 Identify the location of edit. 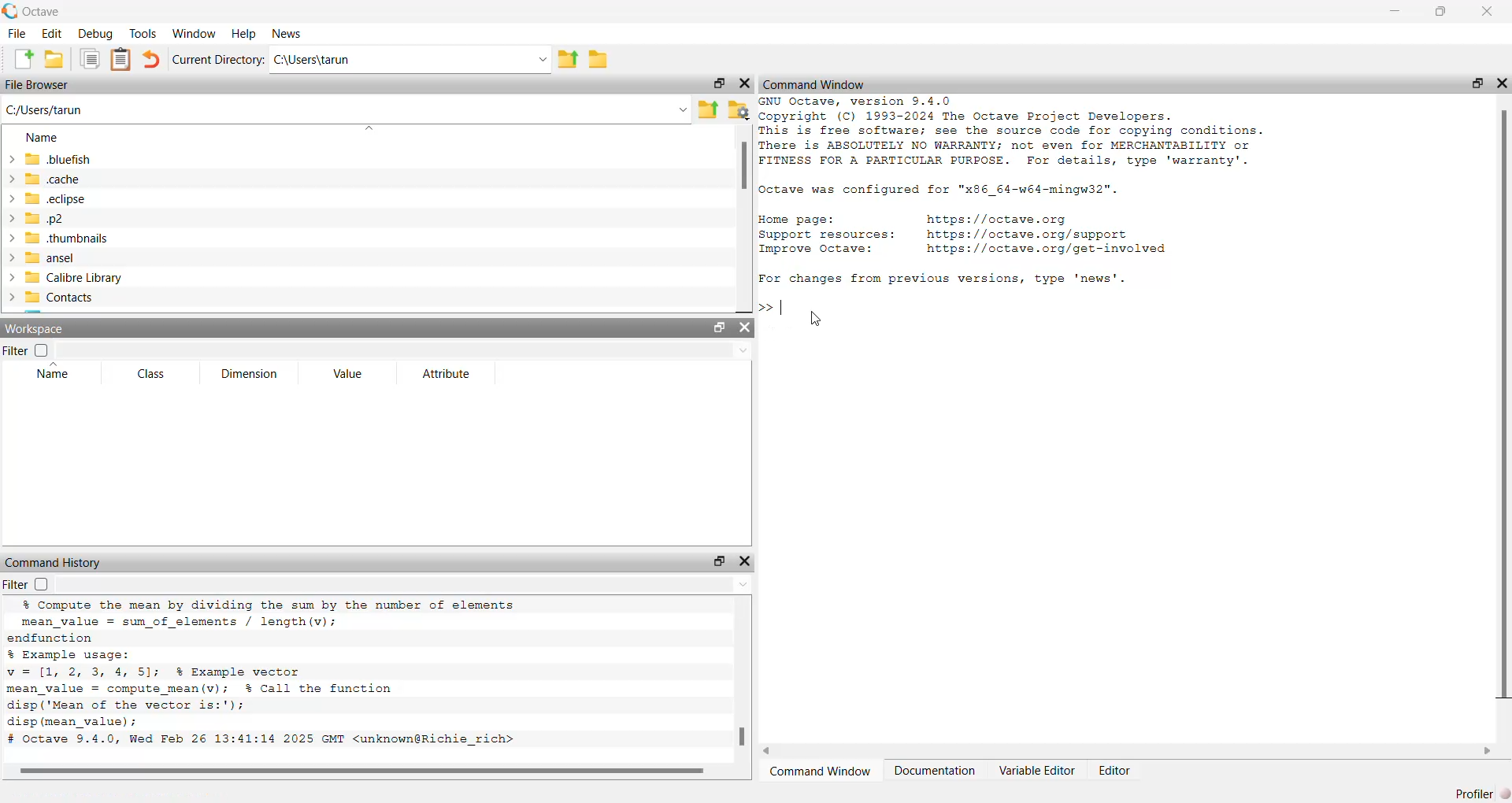
(54, 34).